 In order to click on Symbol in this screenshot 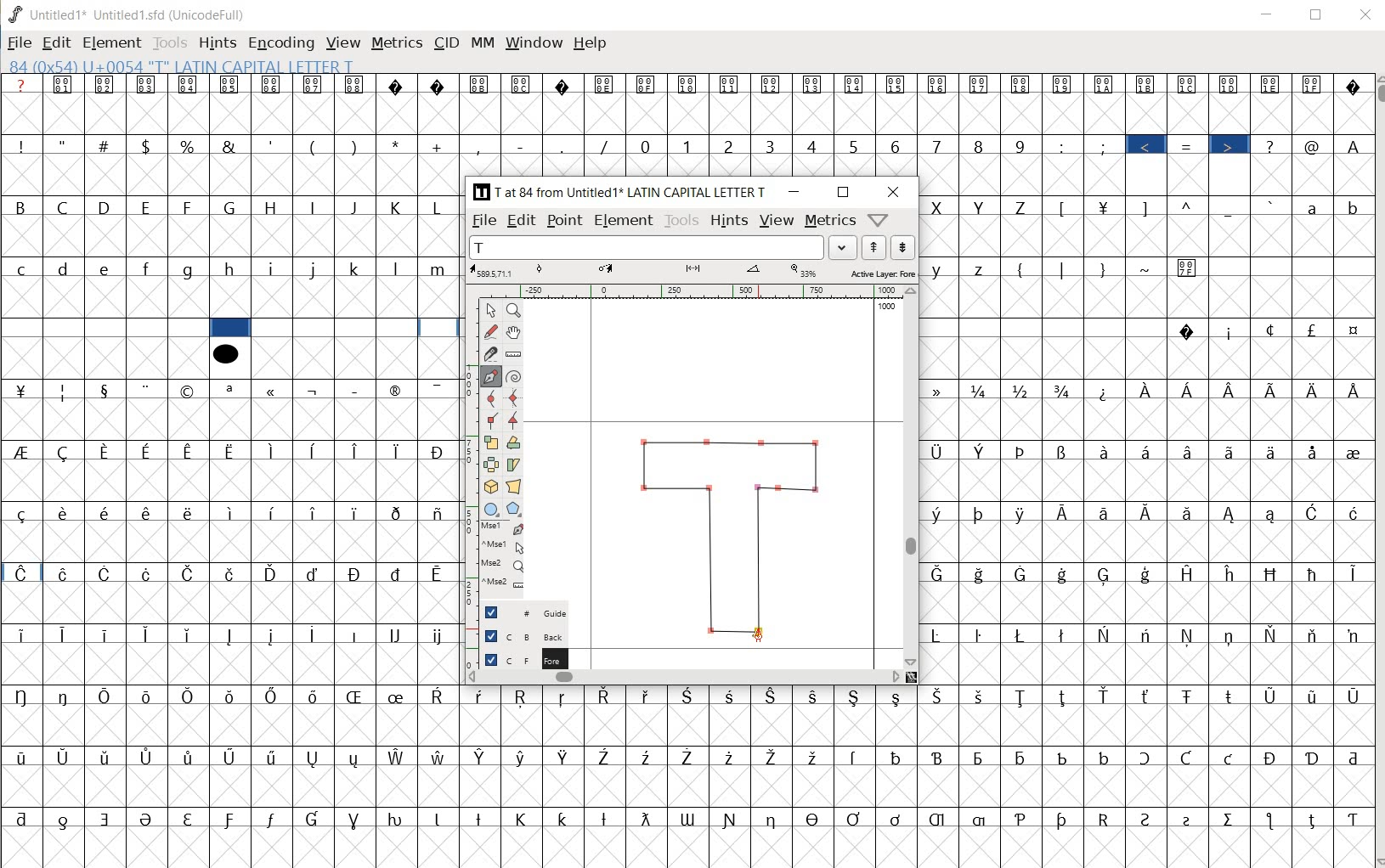, I will do `click(1350, 635)`.